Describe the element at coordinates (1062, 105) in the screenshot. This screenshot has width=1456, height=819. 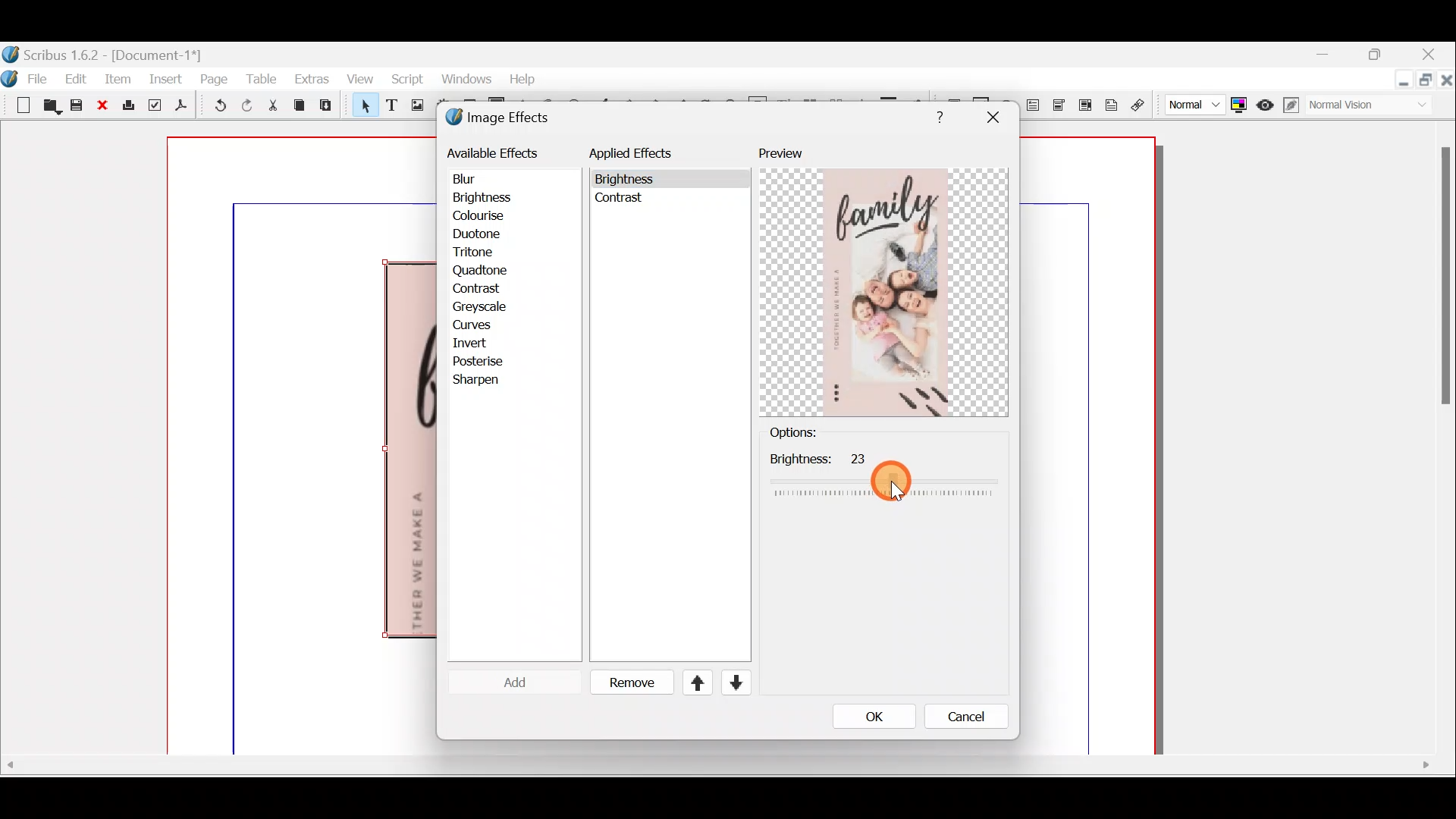
I see `PDF combo box` at that location.